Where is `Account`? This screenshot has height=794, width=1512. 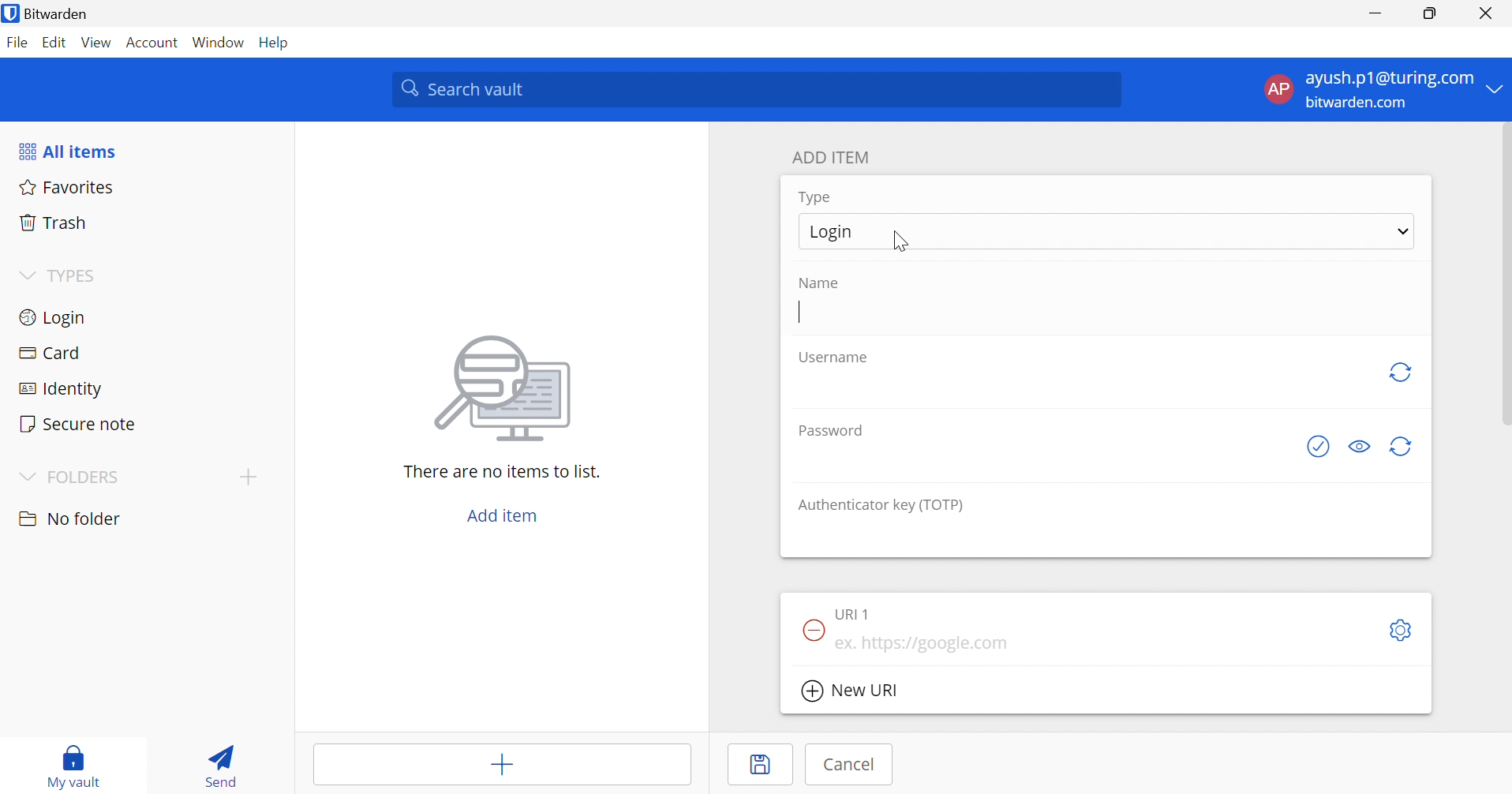
Account is located at coordinates (152, 43).